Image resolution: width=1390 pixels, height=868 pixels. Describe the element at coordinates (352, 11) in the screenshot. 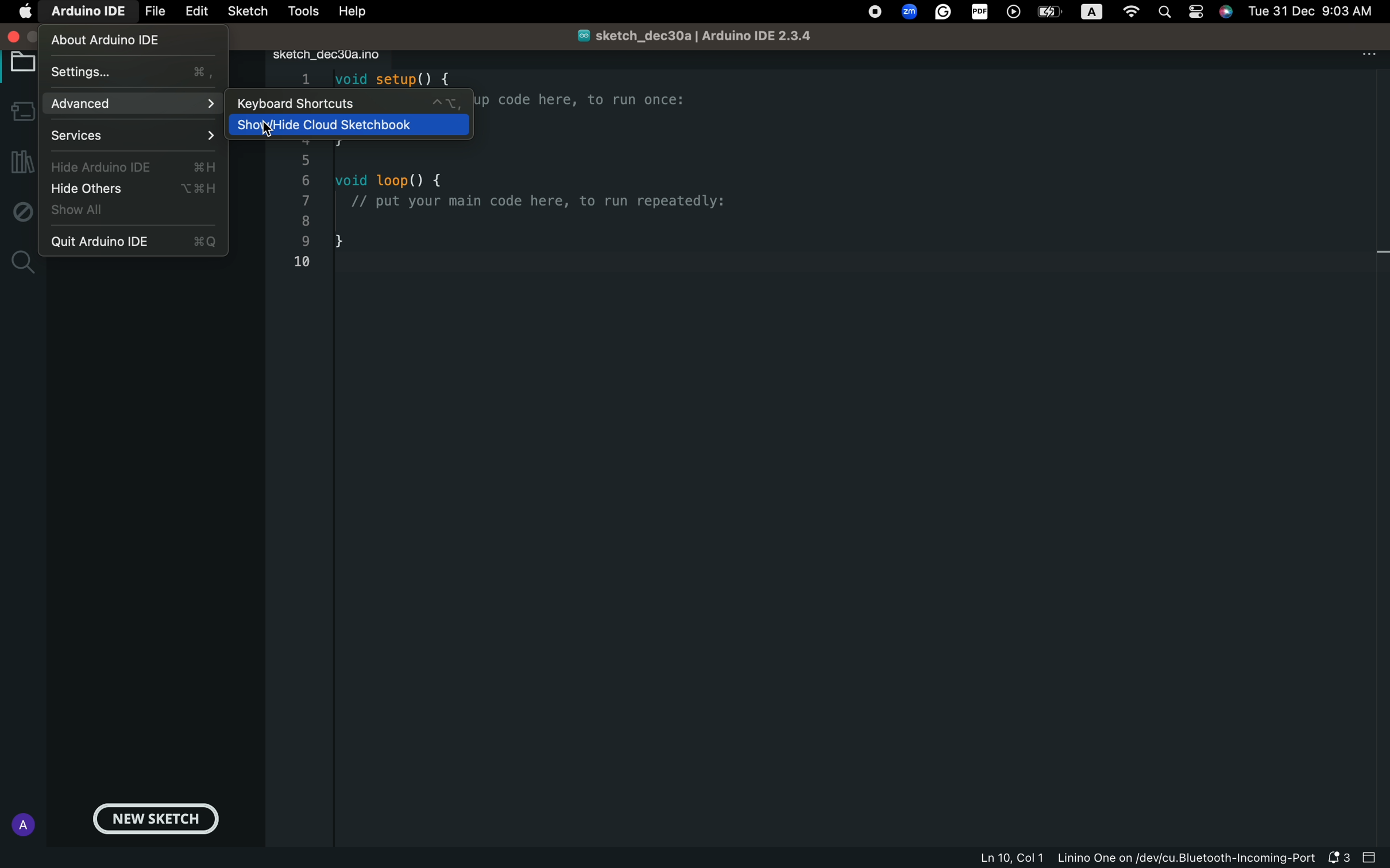

I see `help` at that location.